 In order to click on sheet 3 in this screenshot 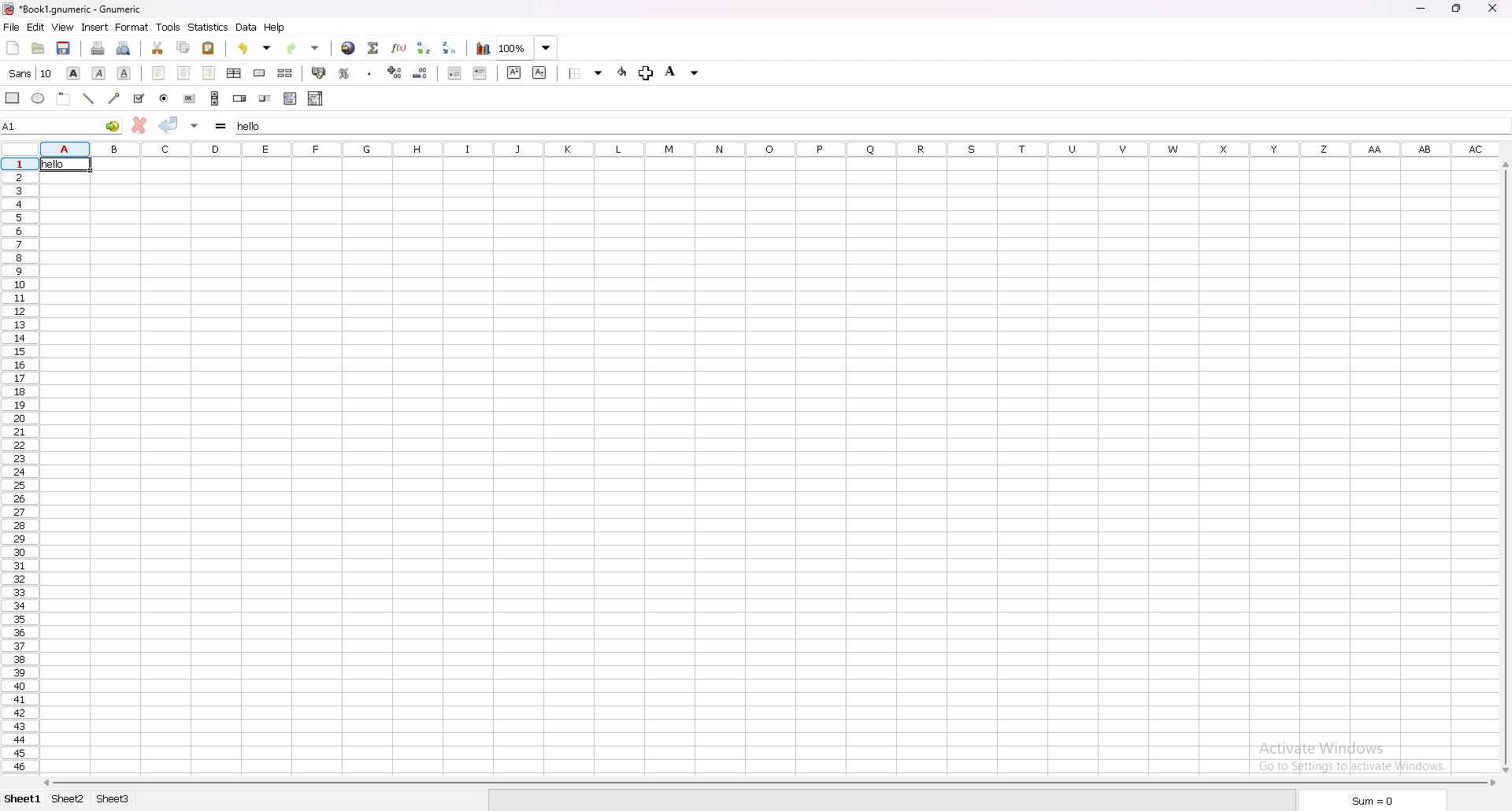, I will do `click(113, 798)`.